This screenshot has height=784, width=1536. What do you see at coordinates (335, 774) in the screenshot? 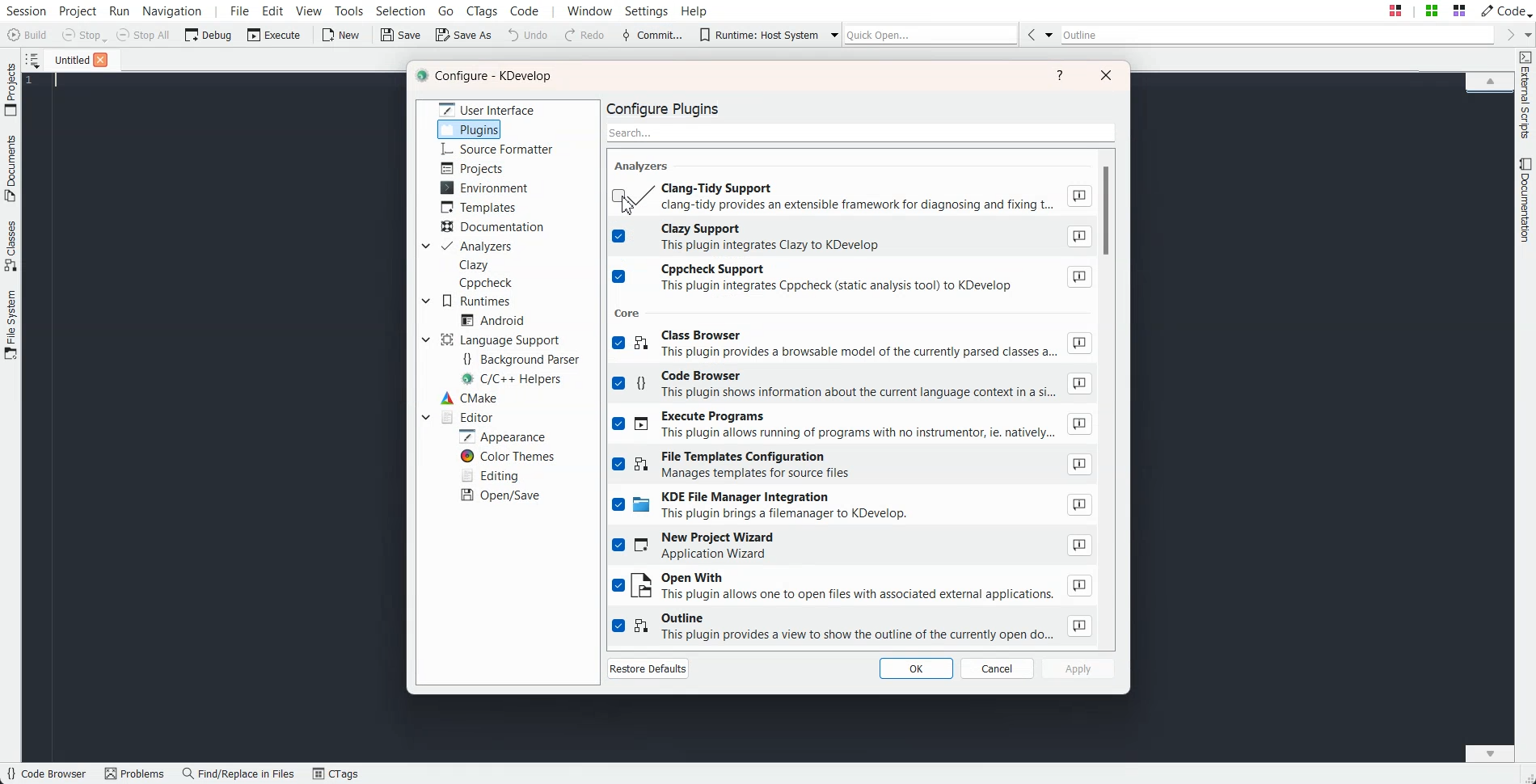
I see `CTags` at bounding box center [335, 774].